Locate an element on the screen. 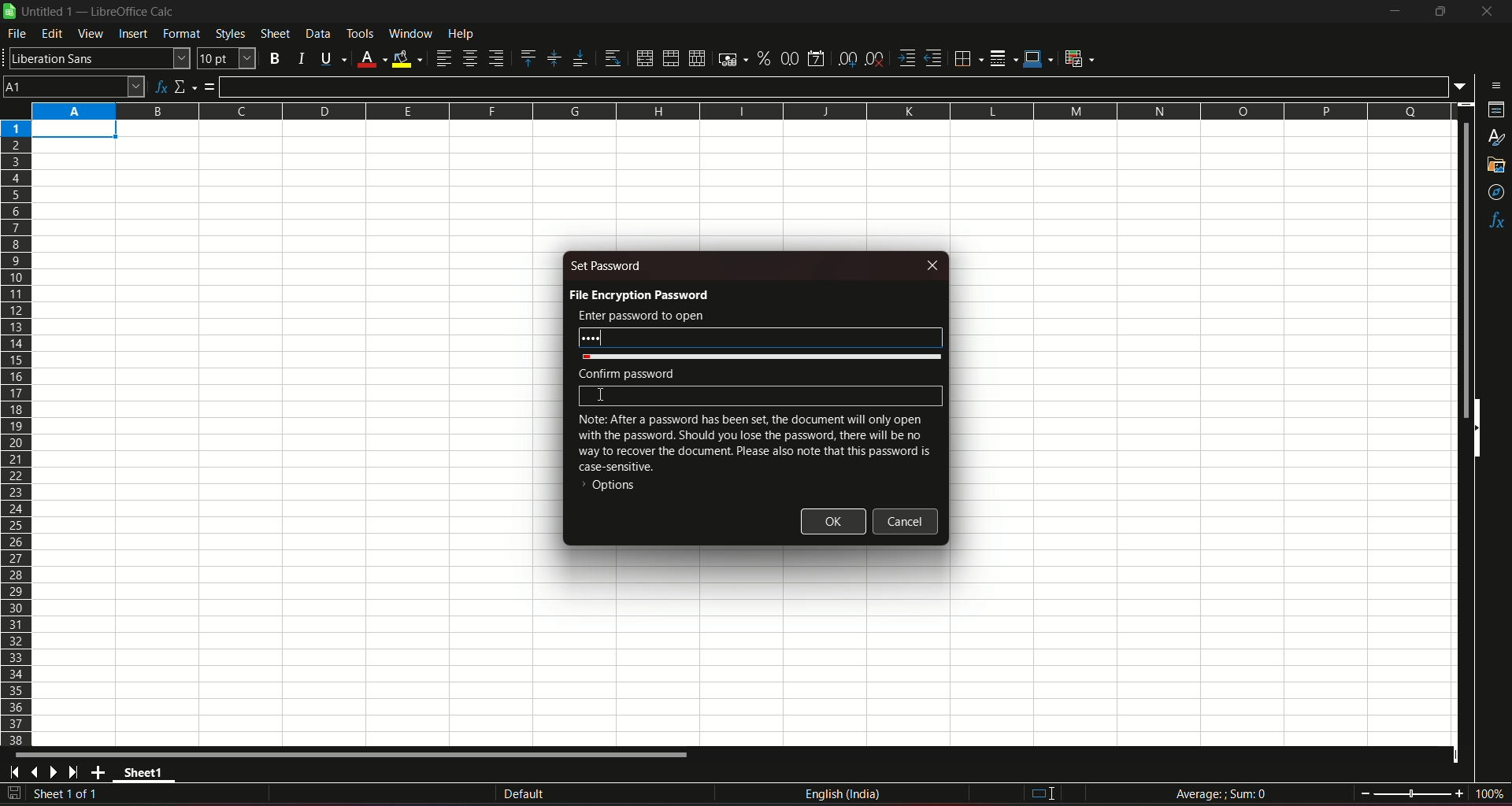 Image resolution: width=1512 pixels, height=806 pixels. unmerge cells is located at coordinates (696, 57).